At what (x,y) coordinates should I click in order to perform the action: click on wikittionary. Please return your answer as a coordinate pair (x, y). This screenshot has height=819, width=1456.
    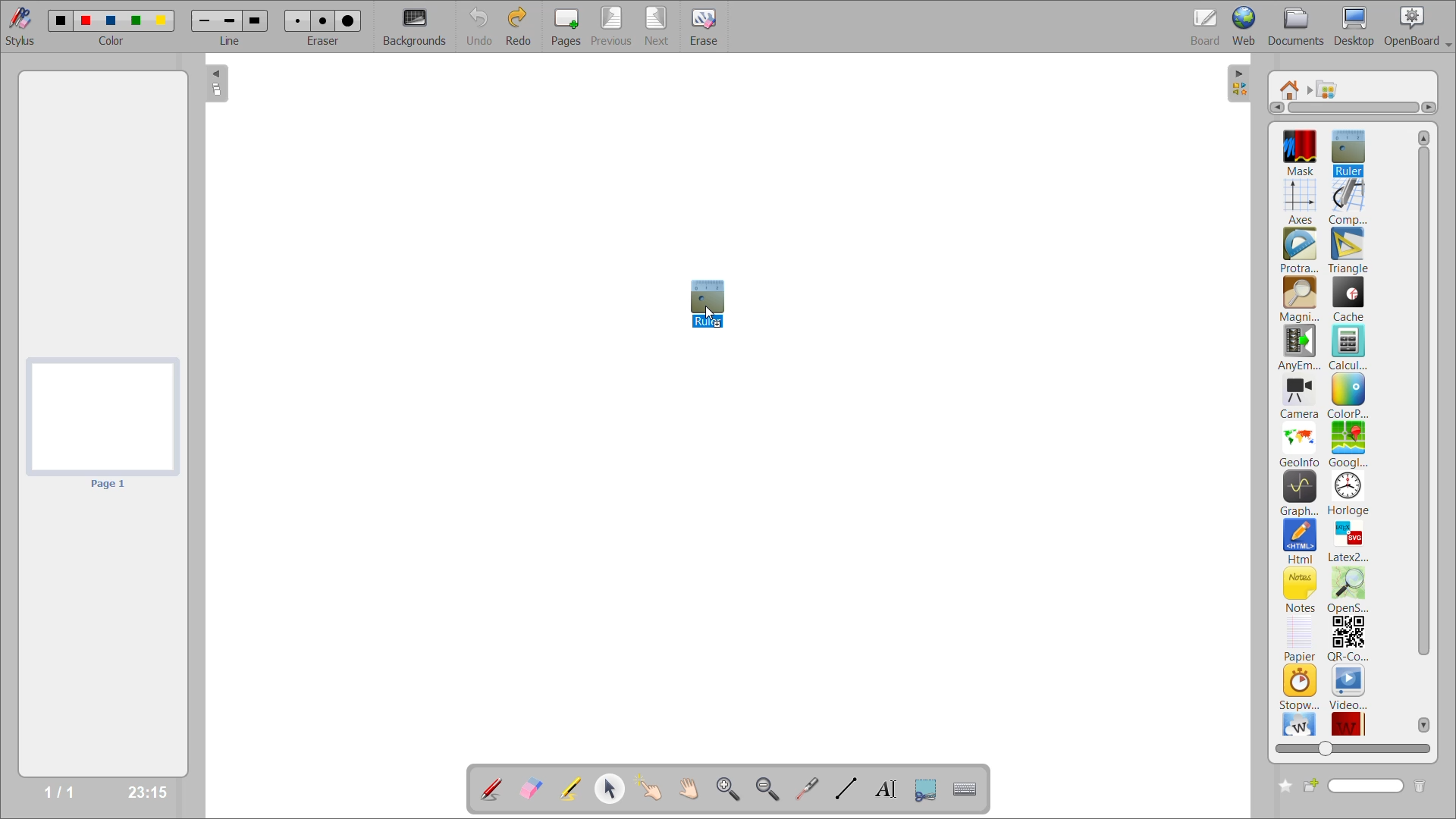
    Looking at the image, I should click on (1349, 722).